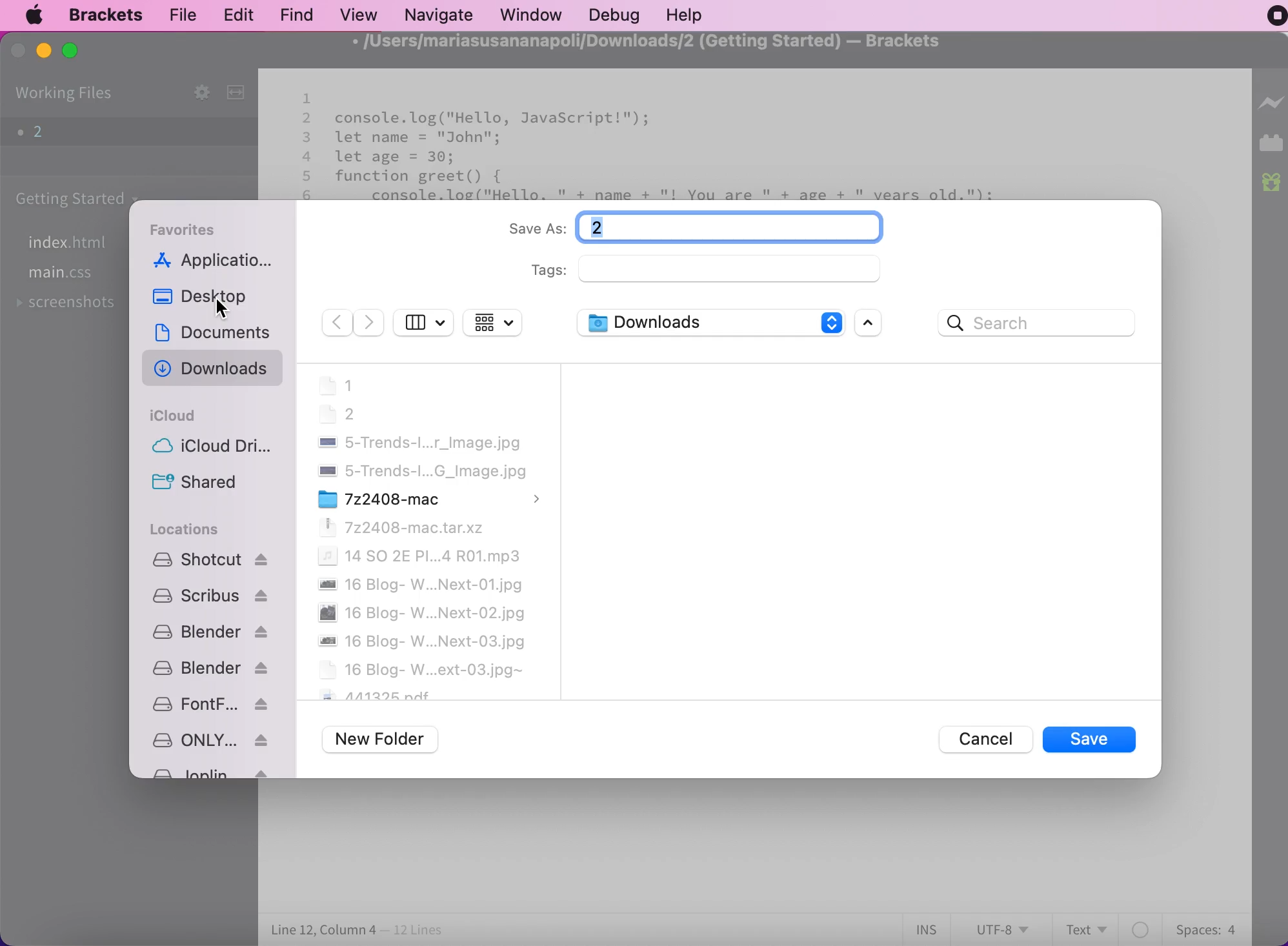 The height and width of the screenshot is (946, 1288). Describe the element at coordinates (336, 386) in the screenshot. I see `1` at that location.